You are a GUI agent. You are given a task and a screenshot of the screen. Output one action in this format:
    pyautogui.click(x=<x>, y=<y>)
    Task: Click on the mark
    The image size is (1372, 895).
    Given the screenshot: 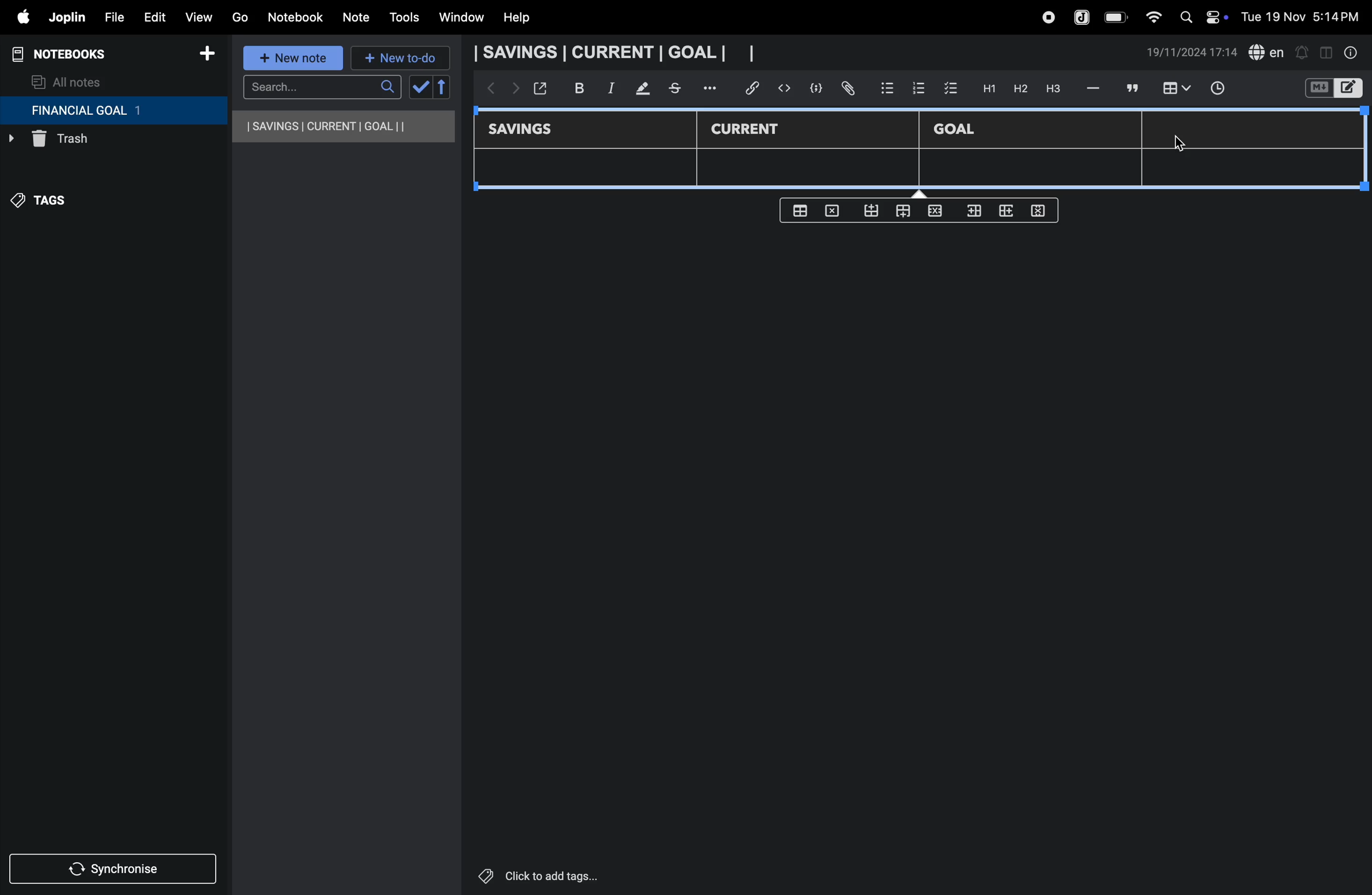 What is the action you would take?
    pyautogui.click(x=638, y=89)
    